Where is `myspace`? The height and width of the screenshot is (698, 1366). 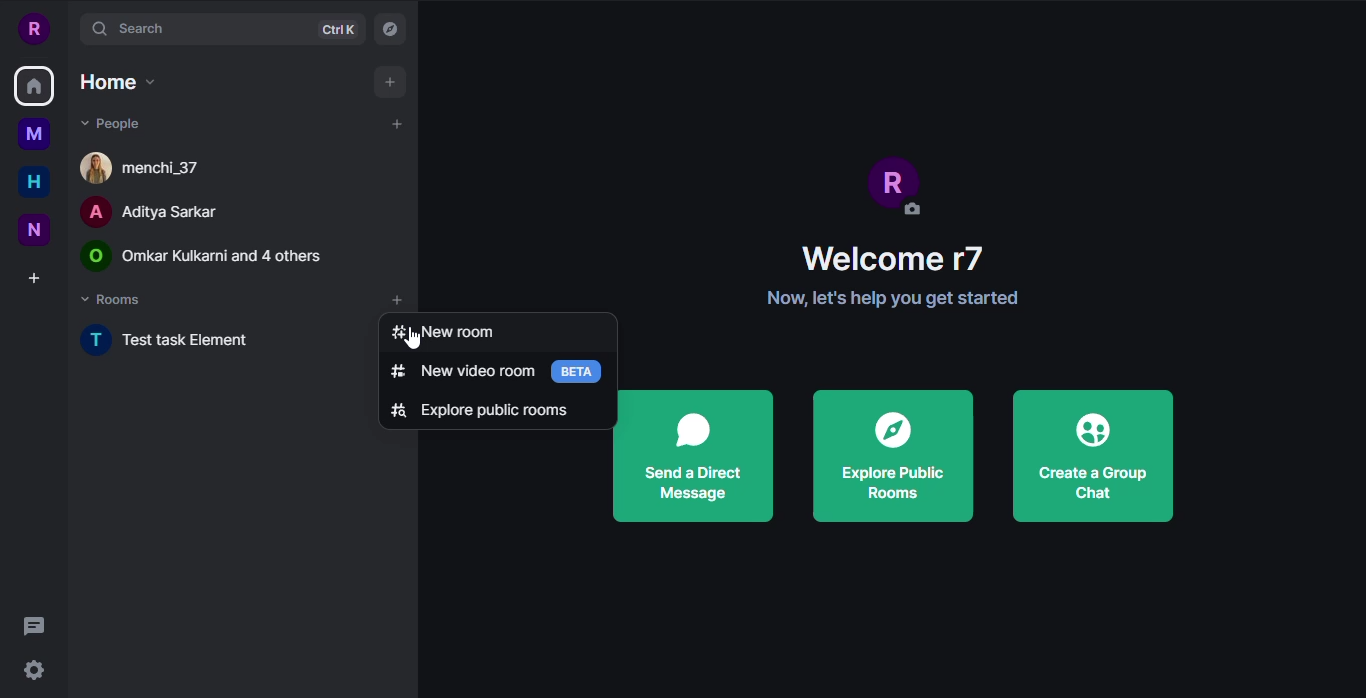
myspace is located at coordinates (34, 134).